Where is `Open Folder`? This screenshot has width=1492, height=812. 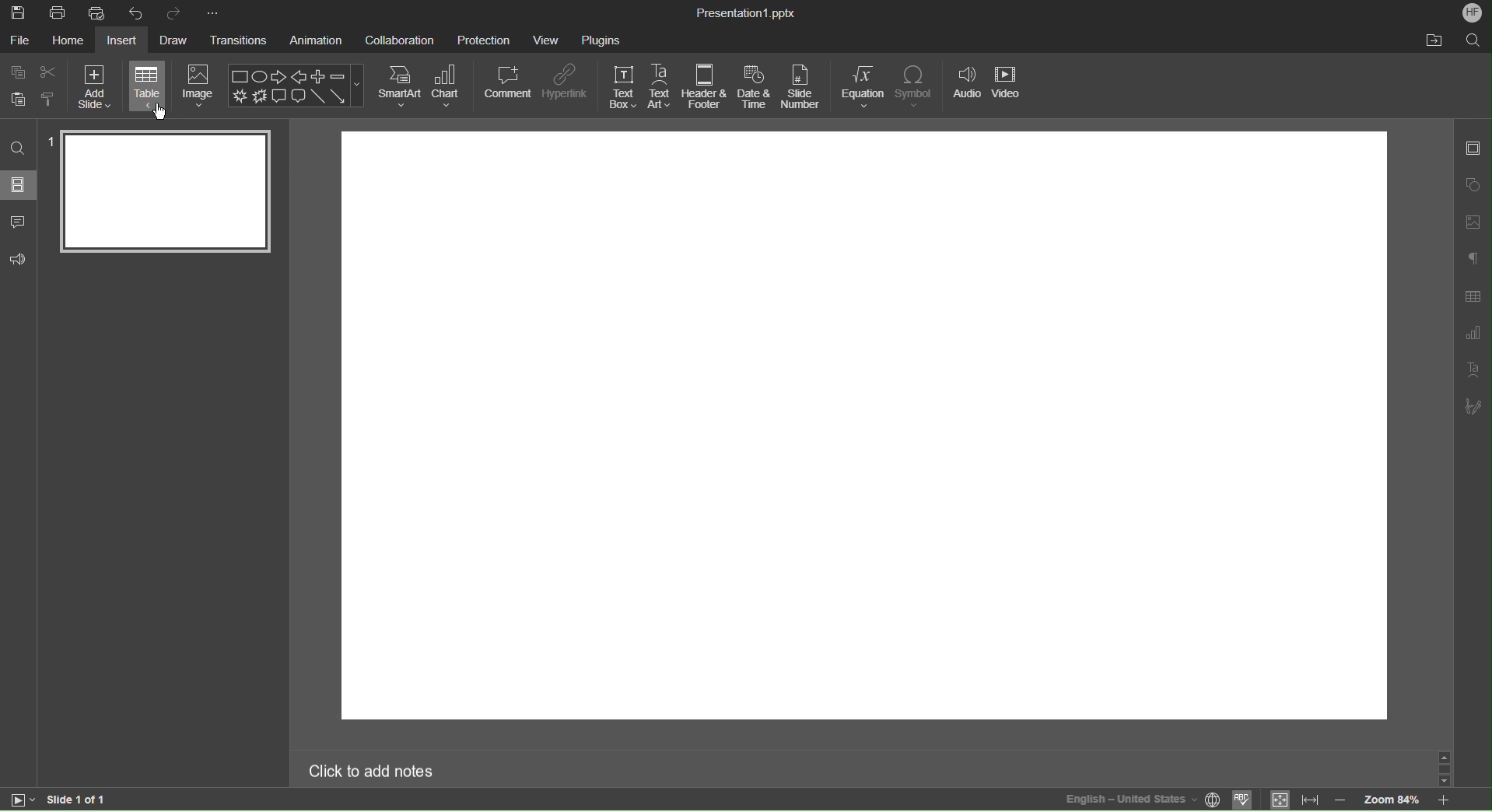
Open Folder is located at coordinates (1434, 40).